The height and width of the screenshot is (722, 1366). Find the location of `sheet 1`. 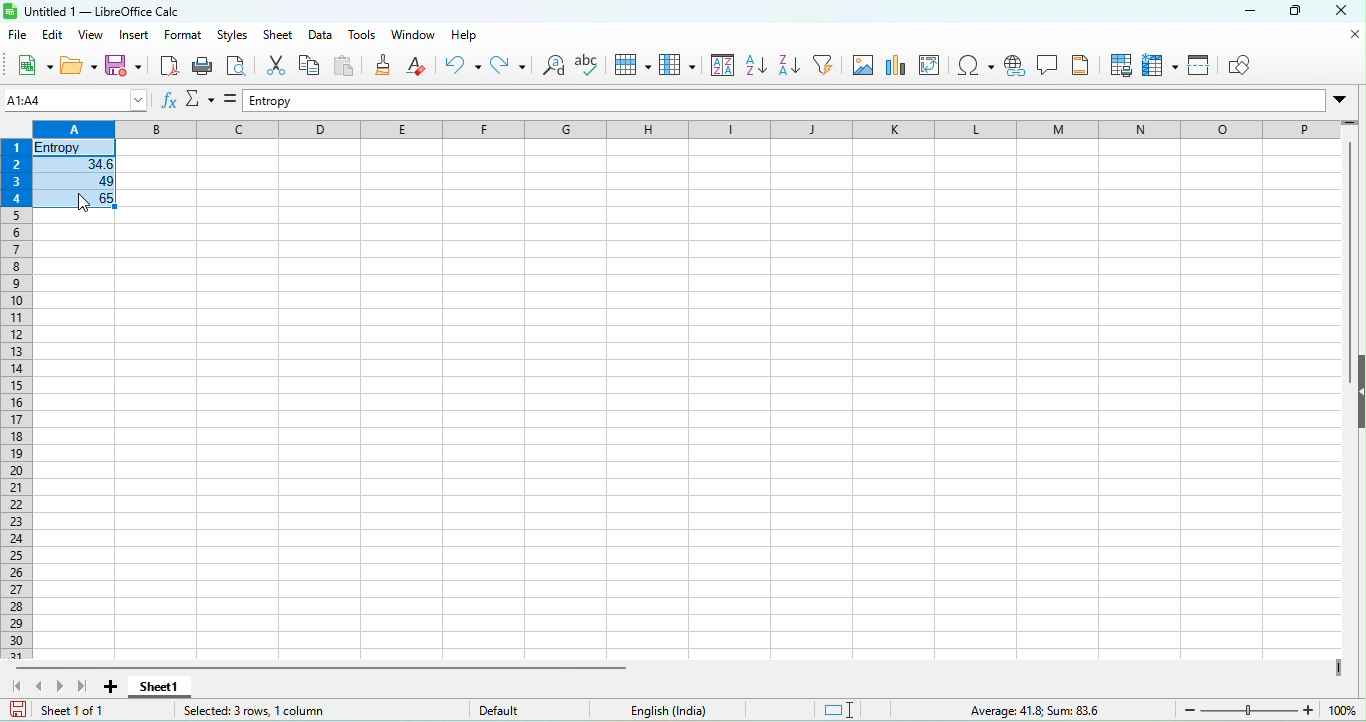

sheet 1 is located at coordinates (159, 687).